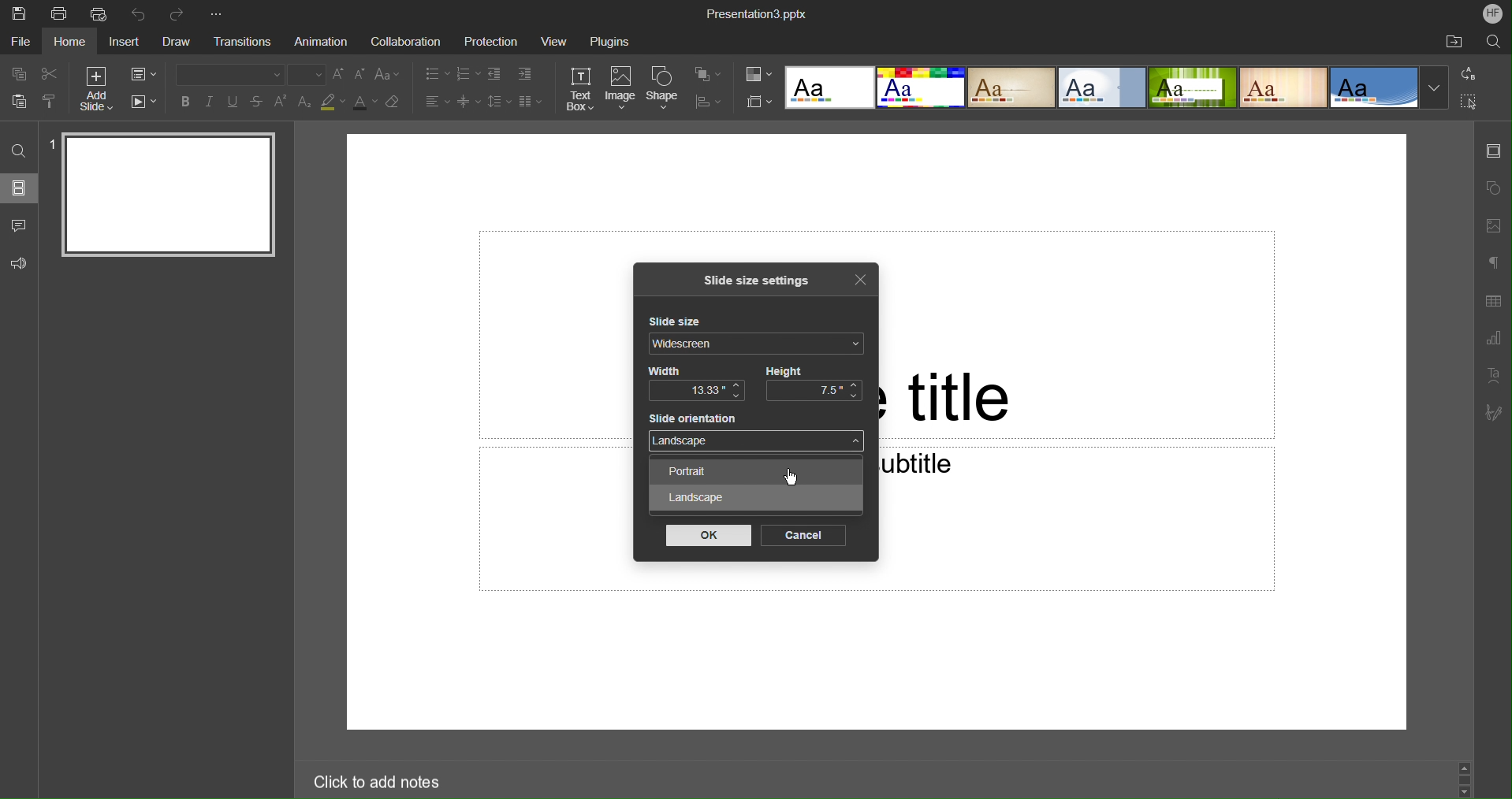  What do you see at coordinates (365, 104) in the screenshot?
I see `Text Color` at bounding box center [365, 104].